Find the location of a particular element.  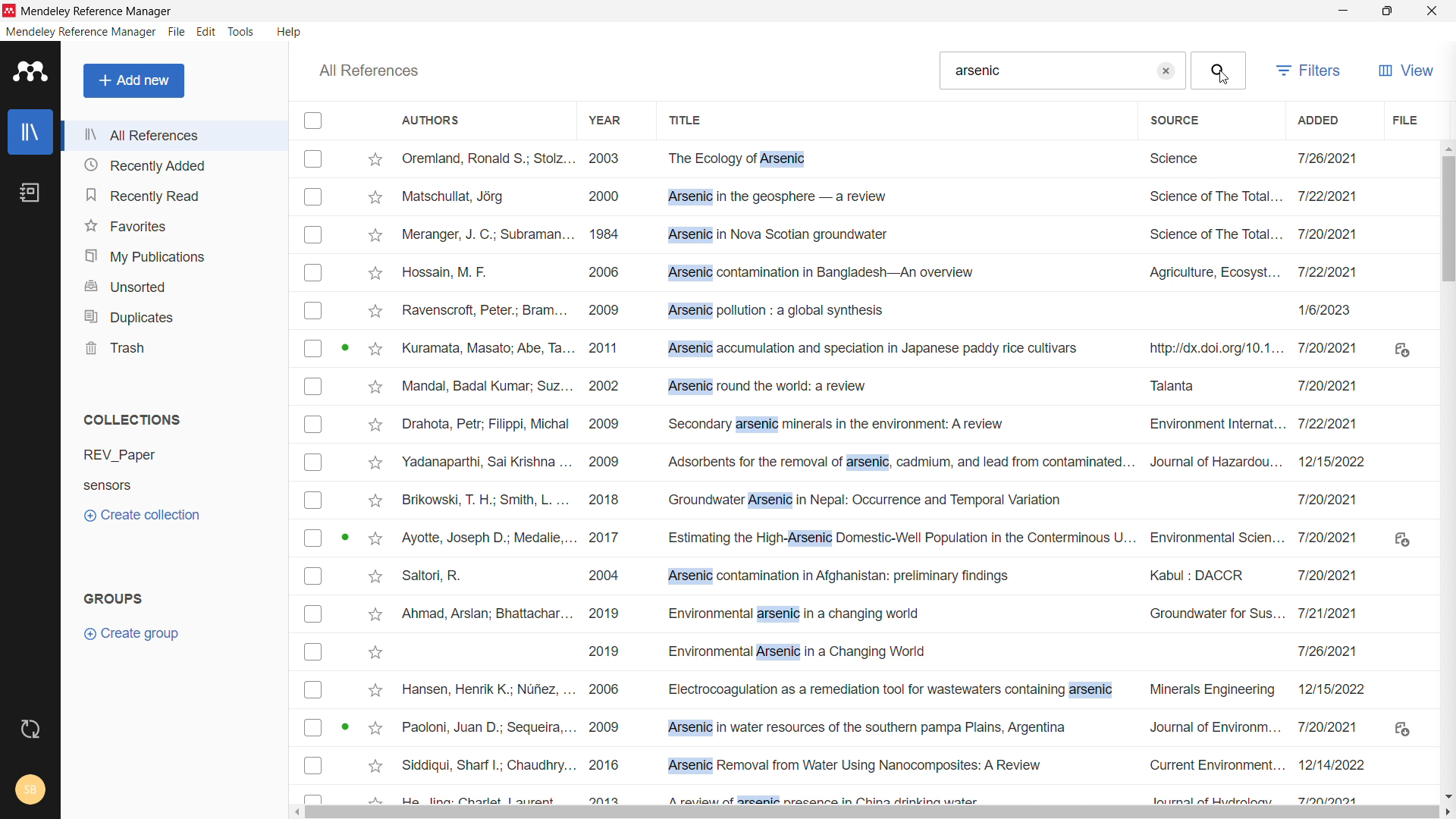

Add to favorites is located at coordinates (373, 309).